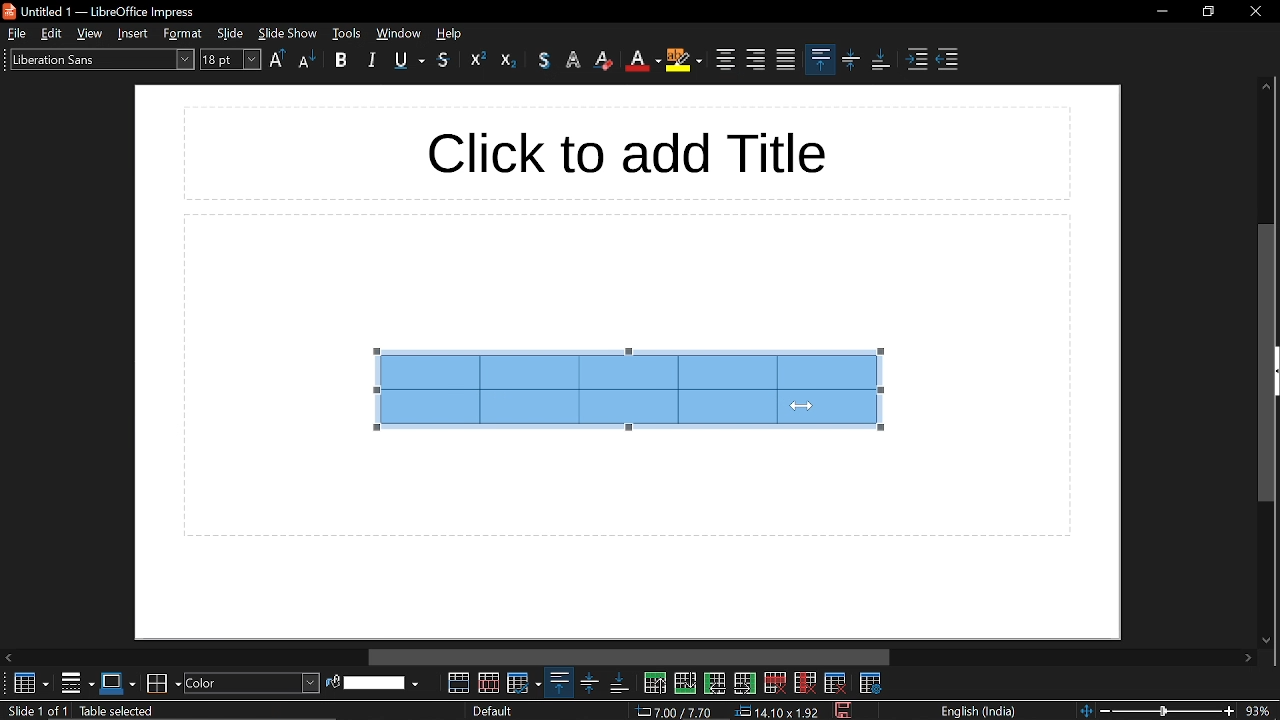  What do you see at coordinates (604, 62) in the screenshot?
I see `eraser` at bounding box center [604, 62].